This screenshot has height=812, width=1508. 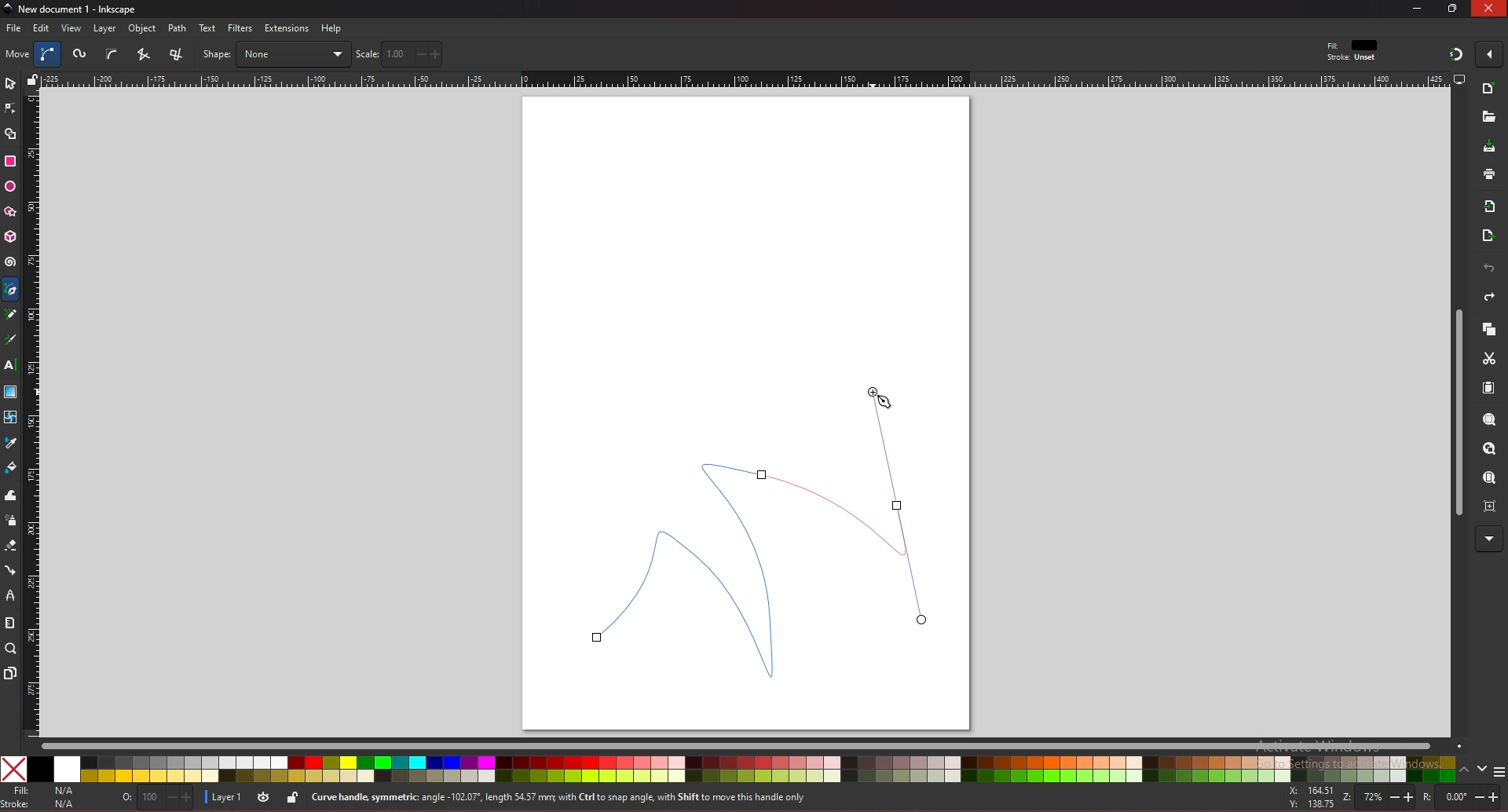 What do you see at coordinates (10, 546) in the screenshot?
I see `eraser` at bounding box center [10, 546].